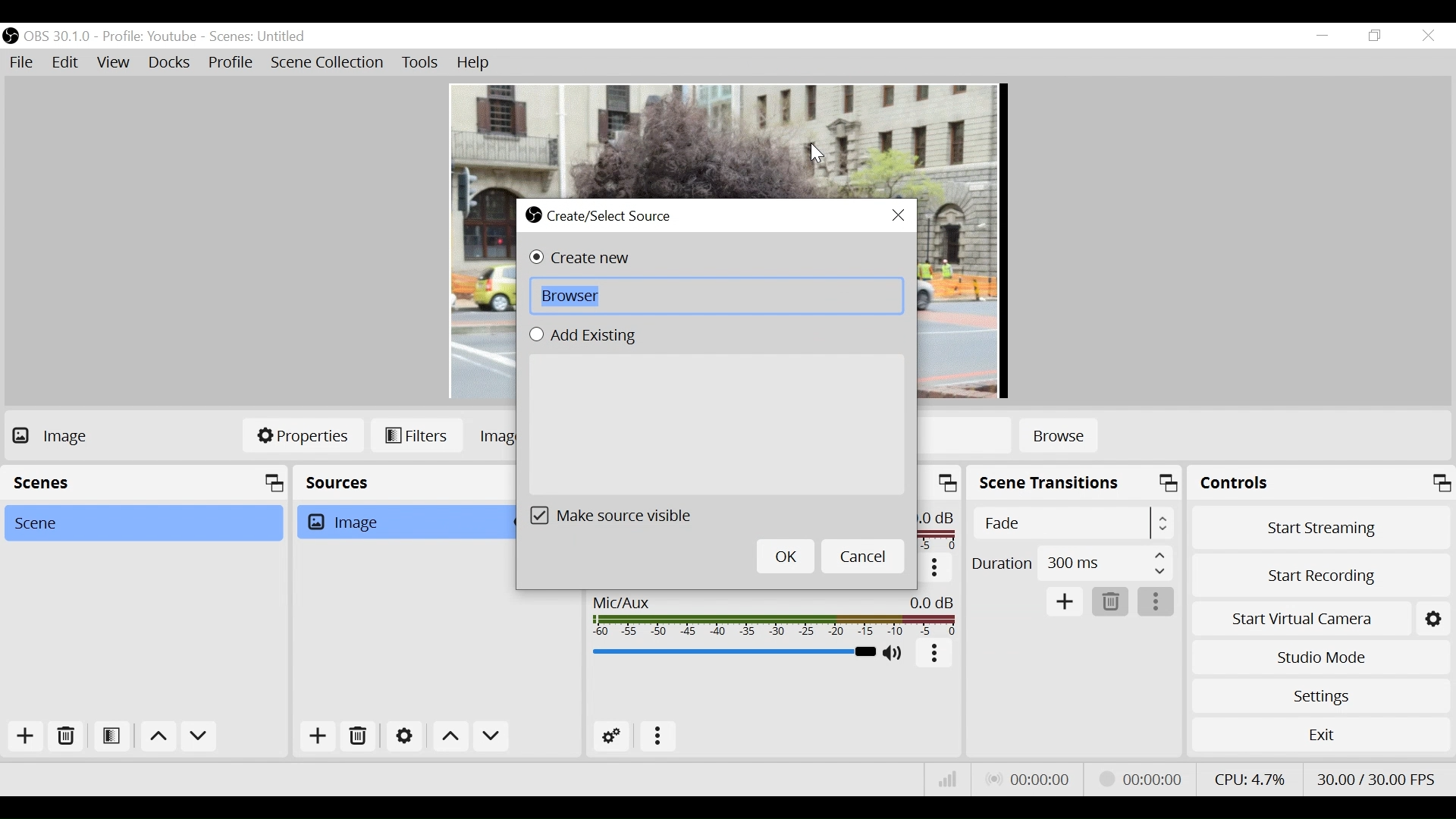  What do you see at coordinates (937, 656) in the screenshot?
I see `More Options` at bounding box center [937, 656].